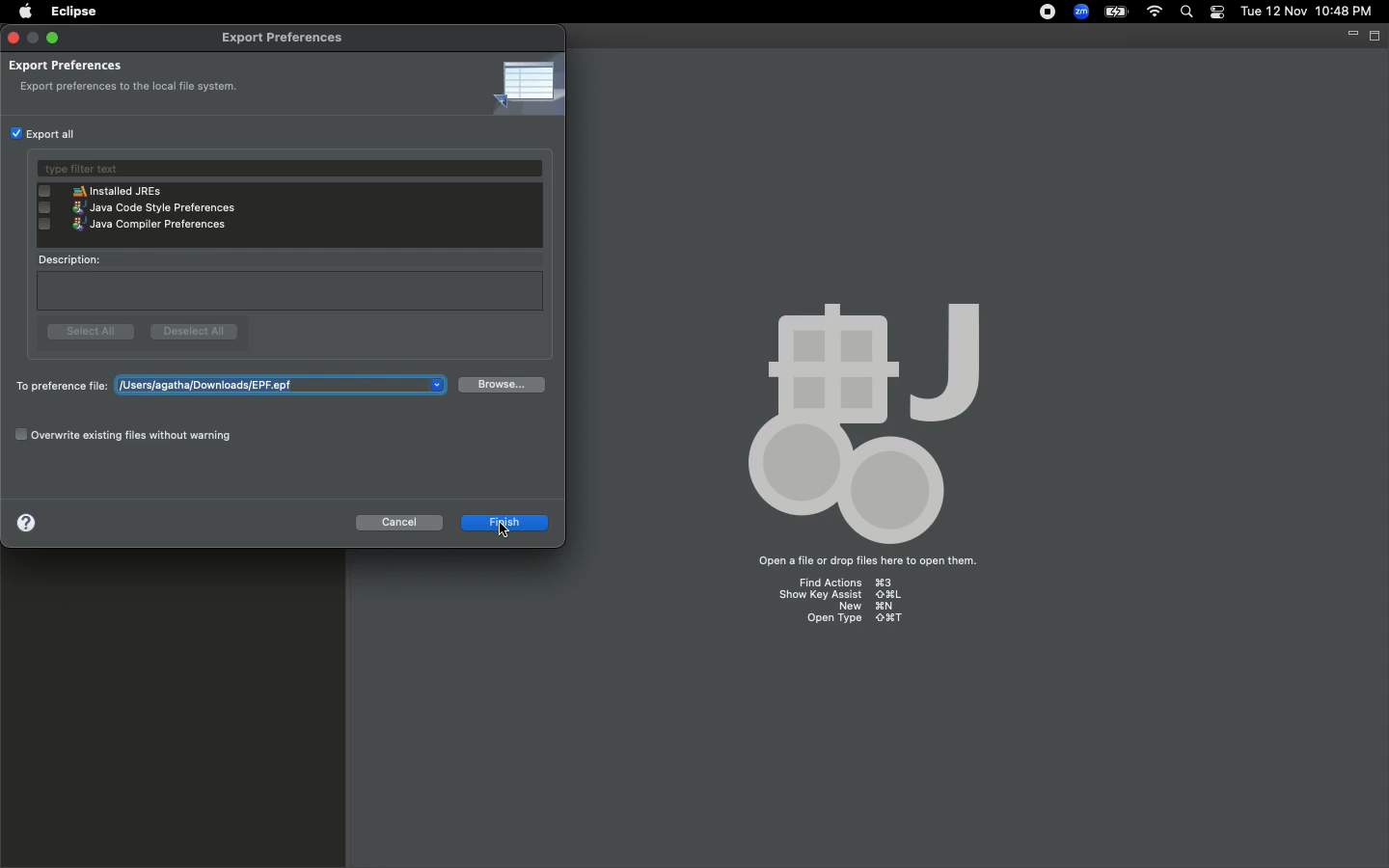  Describe the element at coordinates (504, 532) in the screenshot. I see `Cursor` at that location.